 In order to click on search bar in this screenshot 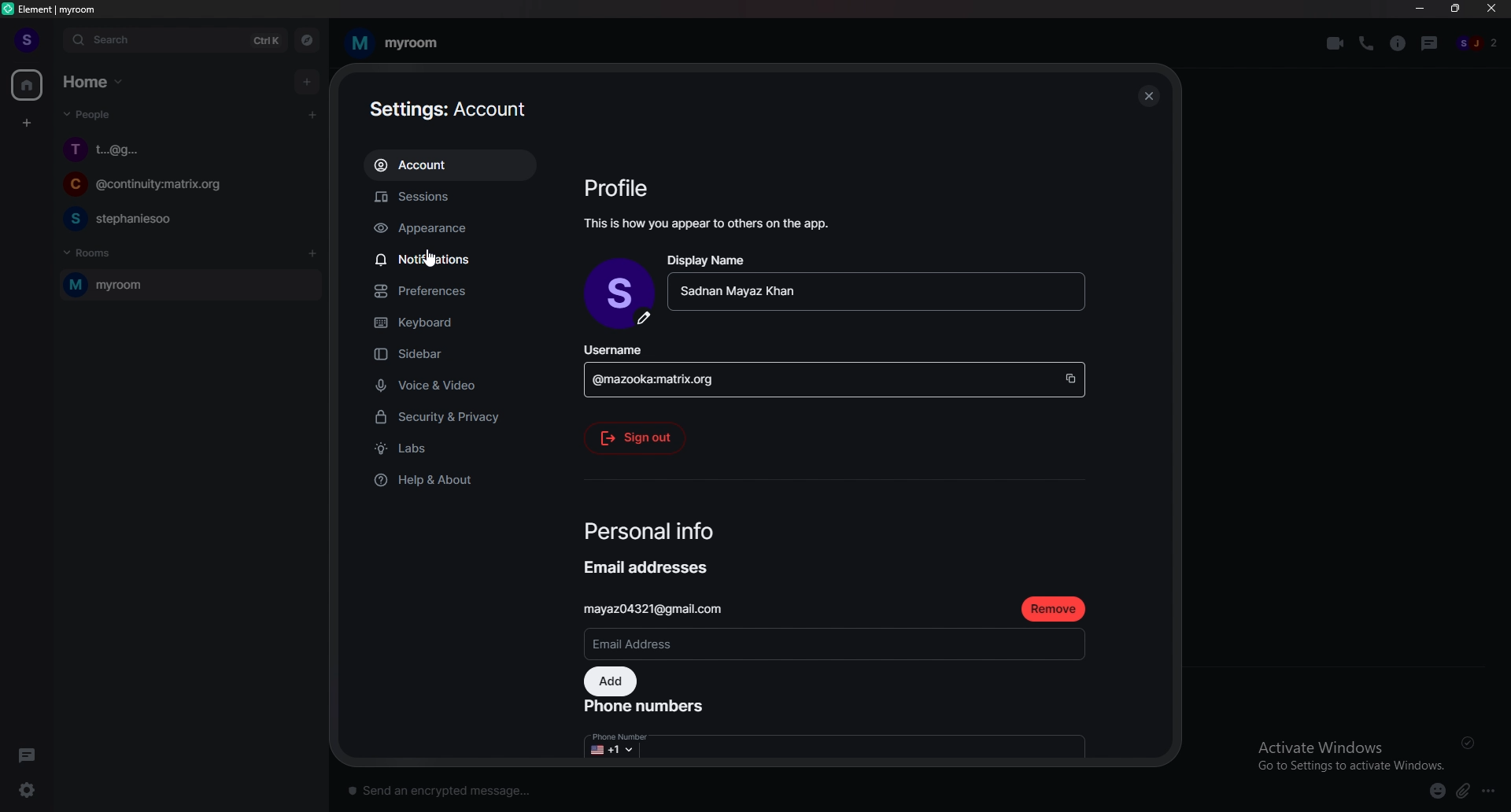, I will do `click(176, 39)`.